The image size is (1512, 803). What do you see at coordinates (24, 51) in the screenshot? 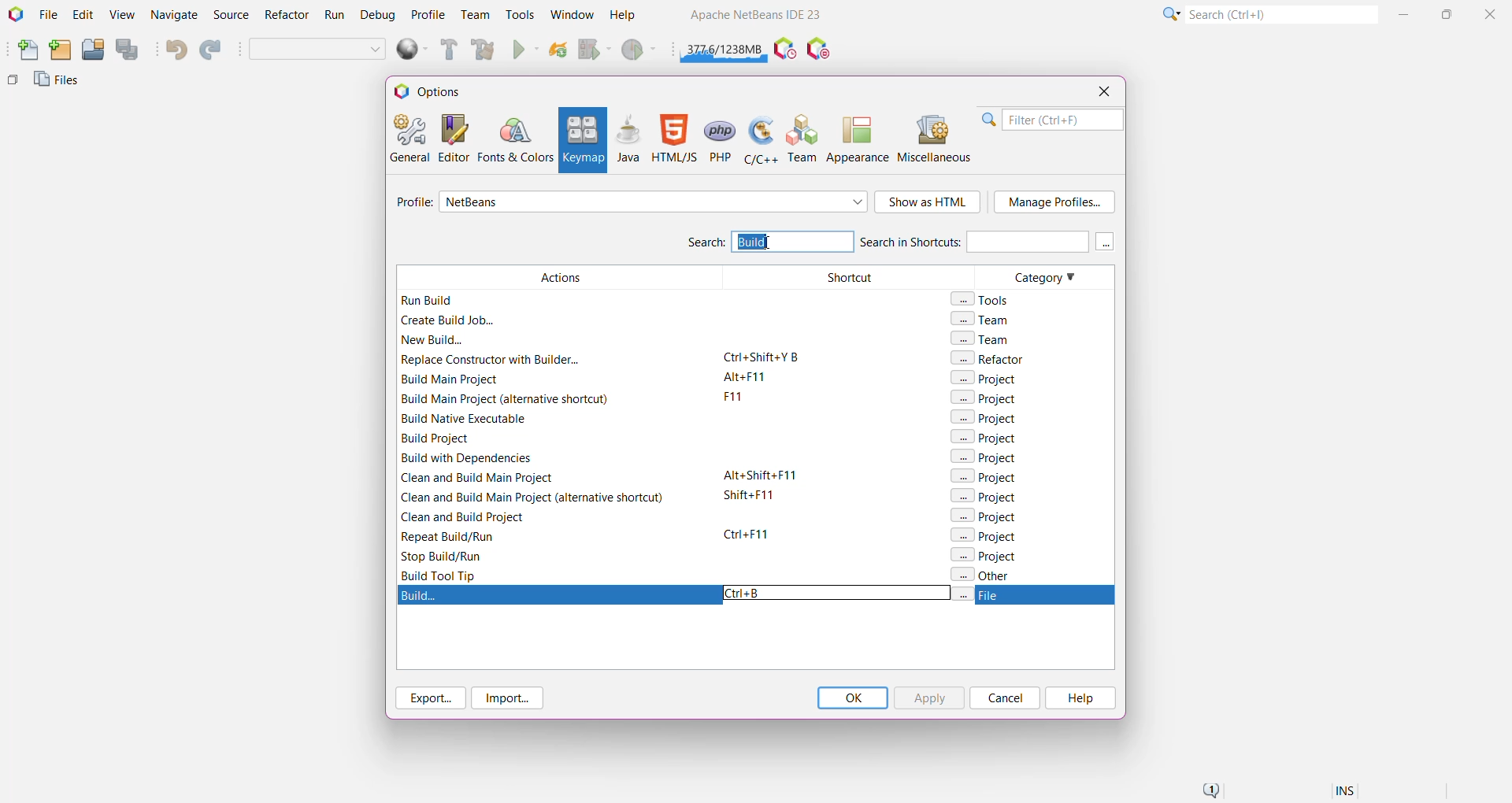
I see `New File` at bounding box center [24, 51].